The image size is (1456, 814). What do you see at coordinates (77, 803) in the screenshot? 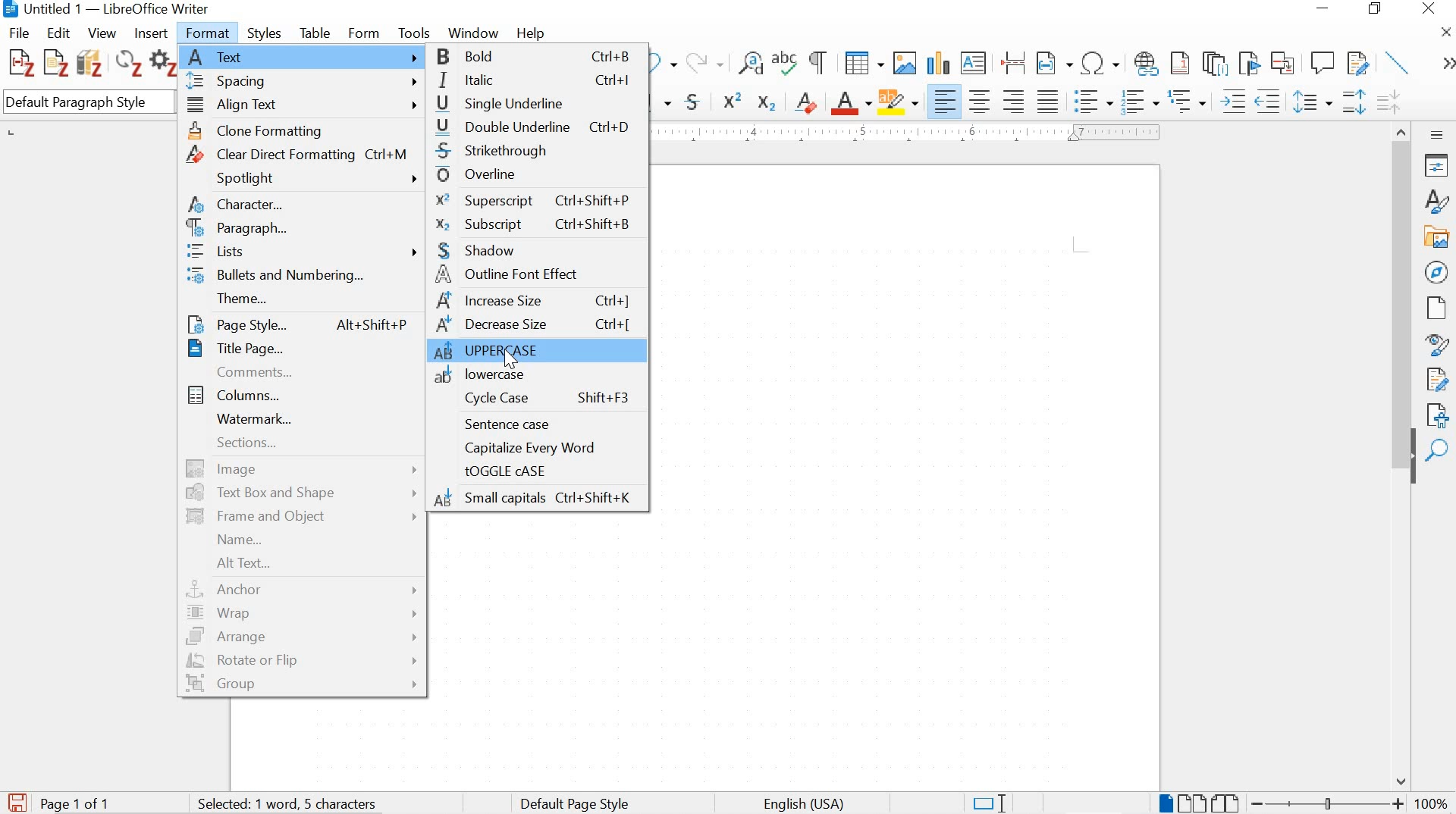
I see `page 1 of 1` at bounding box center [77, 803].